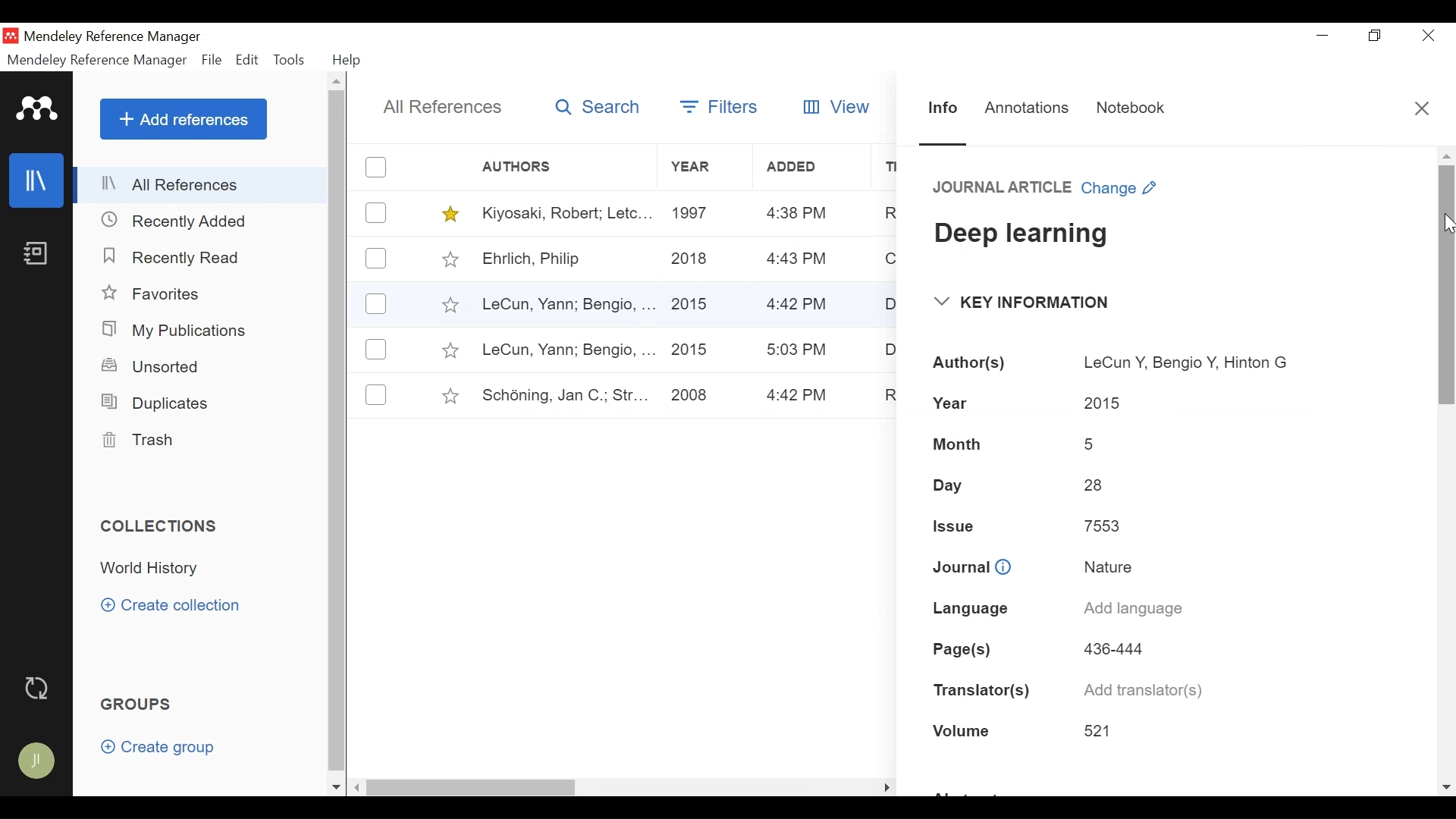 Image resolution: width=1456 pixels, height=819 pixels. I want to click on LeCun, Yann; Bengio, so click(567, 350).